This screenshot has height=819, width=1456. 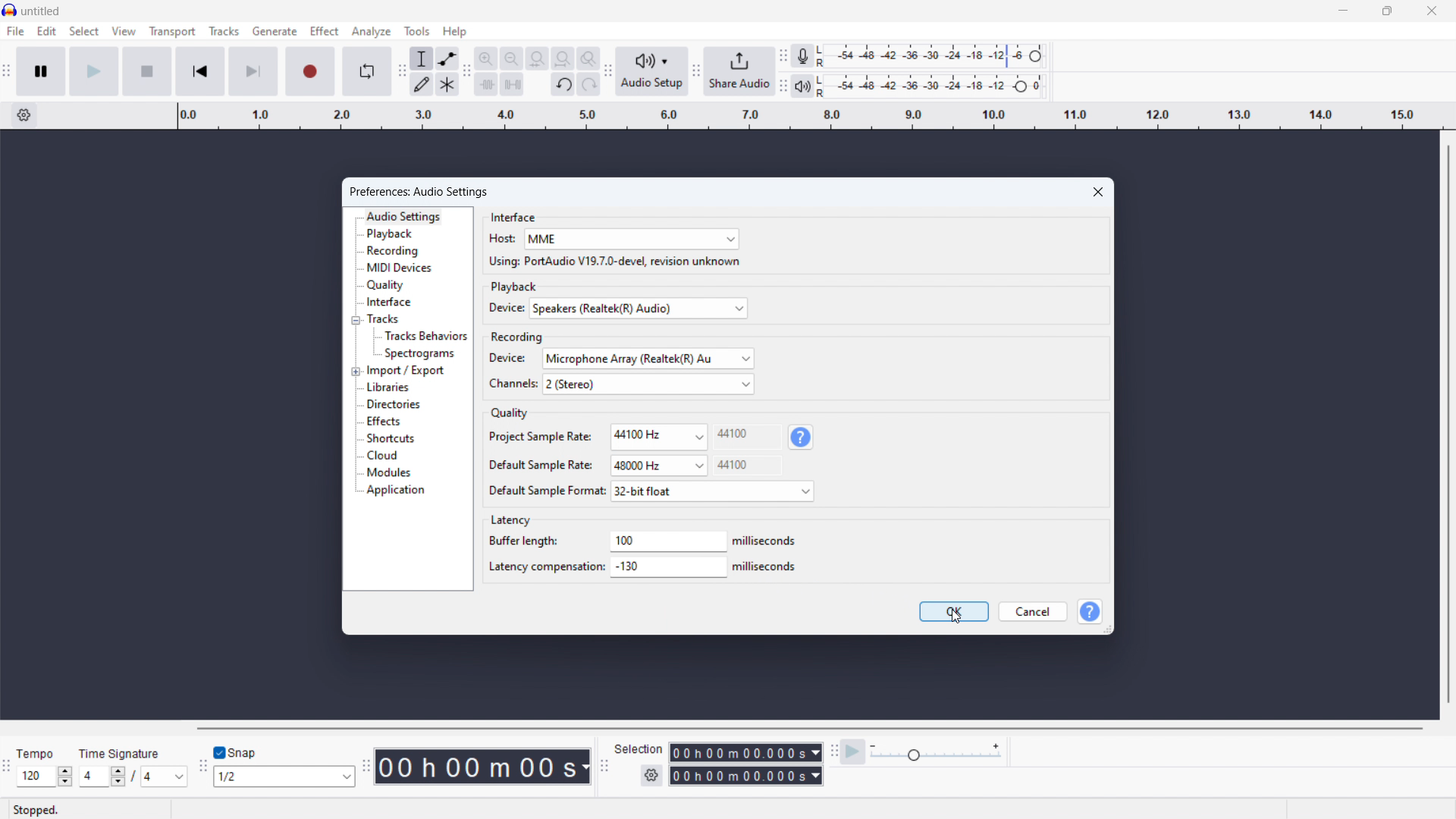 I want to click on snapping toolbar, so click(x=201, y=768).